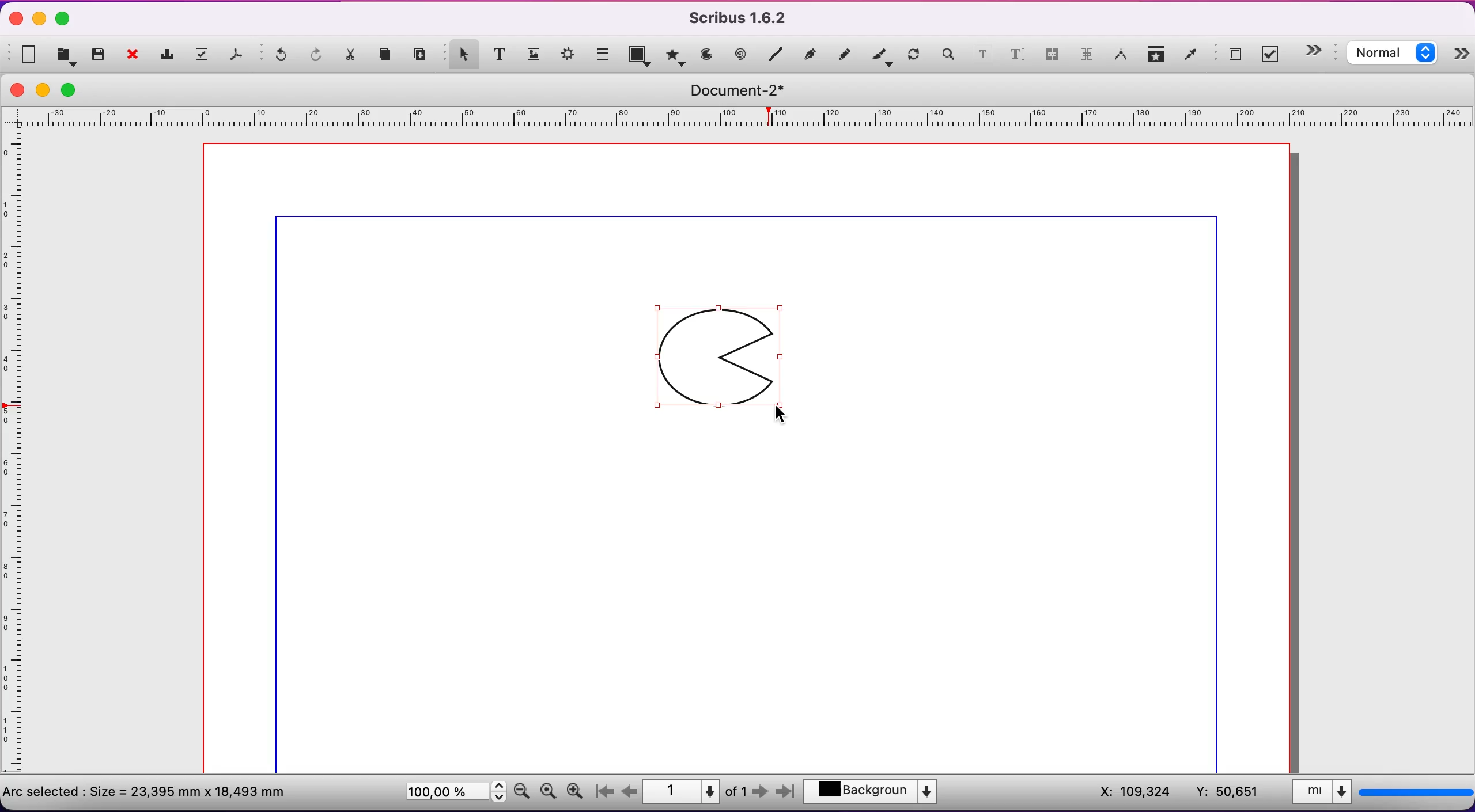 The width and height of the screenshot is (1475, 812). Describe the element at coordinates (578, 788) in the screenshot. I see `zoom in` at that location.